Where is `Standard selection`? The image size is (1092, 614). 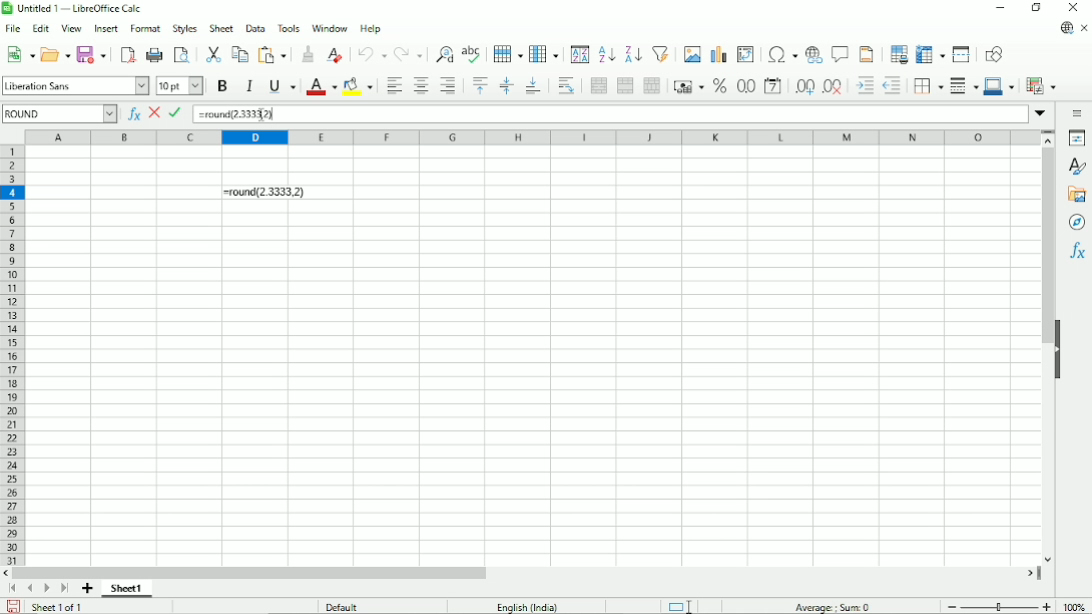
Standard selection is located at coordinates (681, 605).